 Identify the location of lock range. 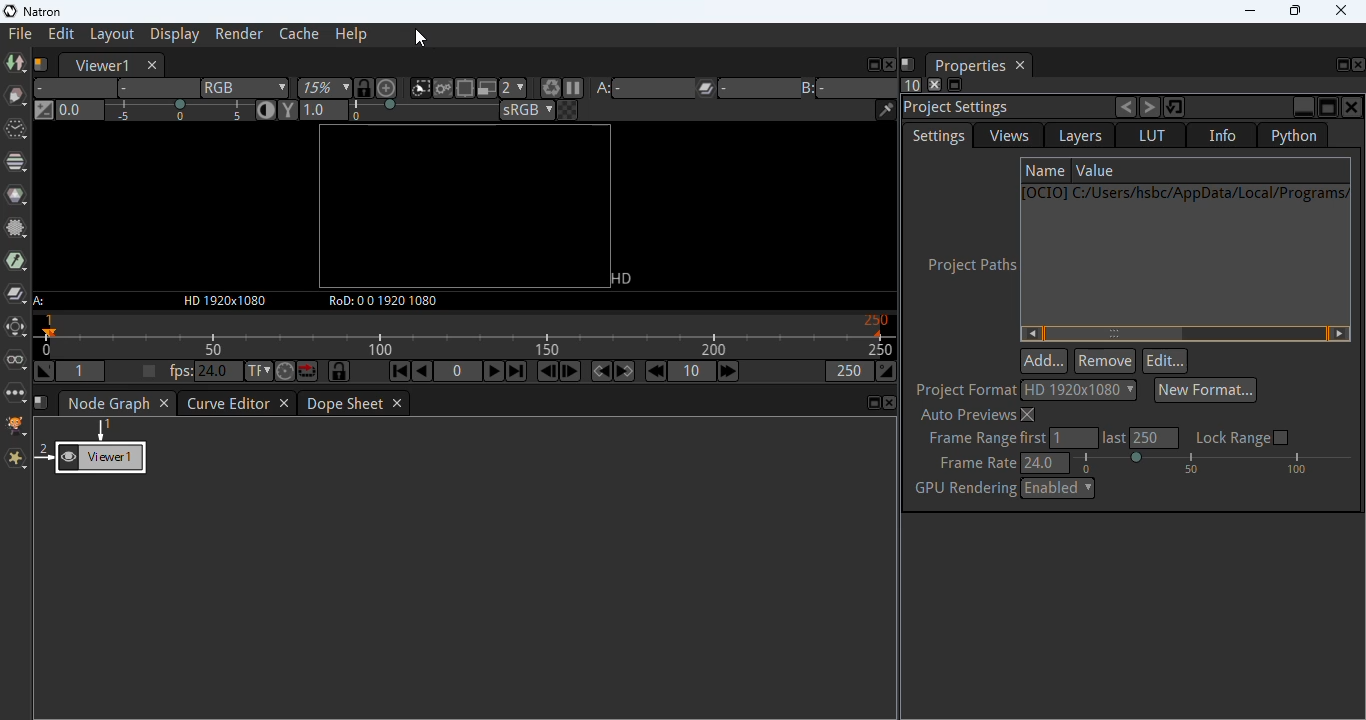
(1245, 438).